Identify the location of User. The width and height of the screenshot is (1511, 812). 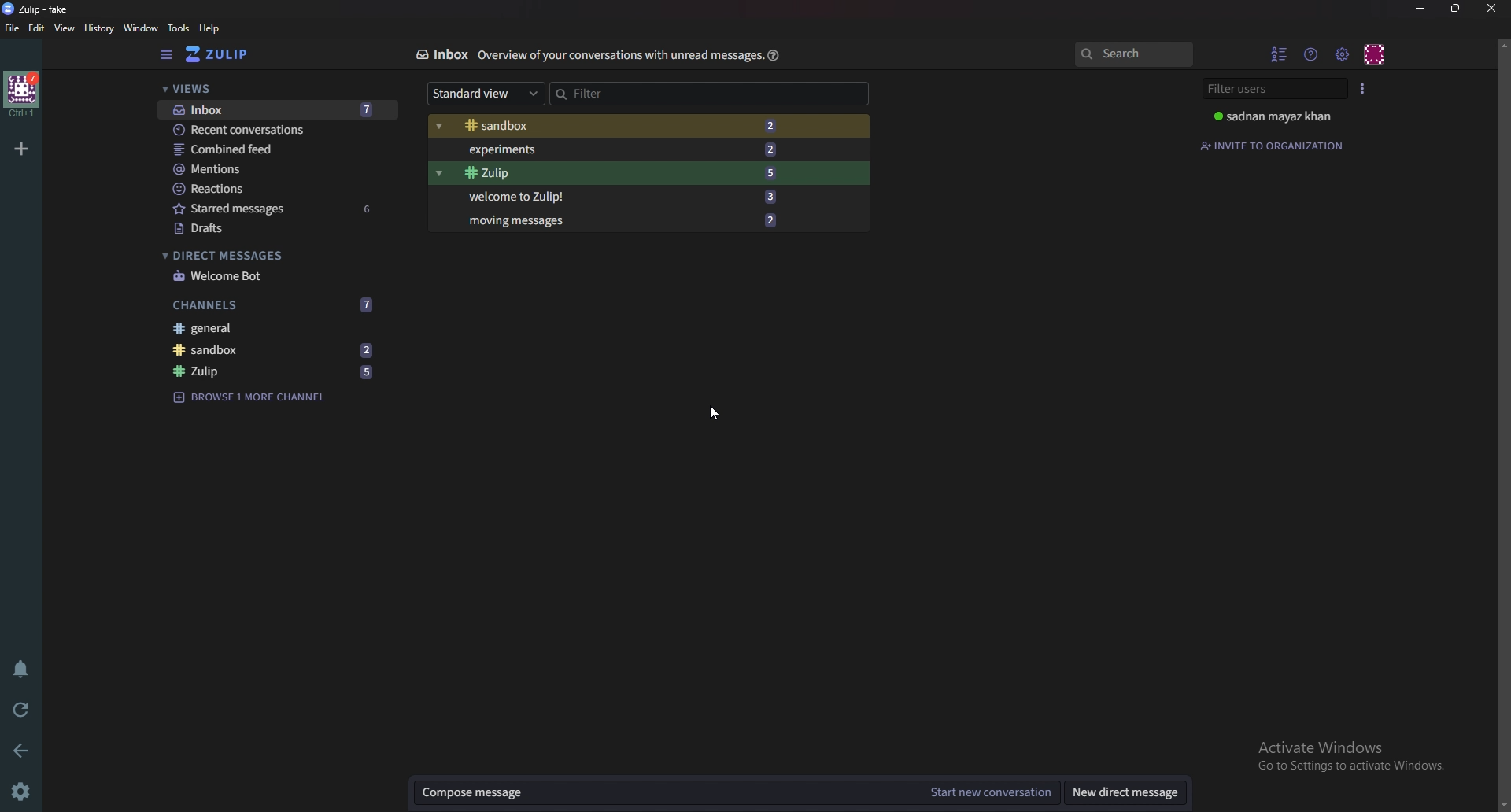
(1276, 116).